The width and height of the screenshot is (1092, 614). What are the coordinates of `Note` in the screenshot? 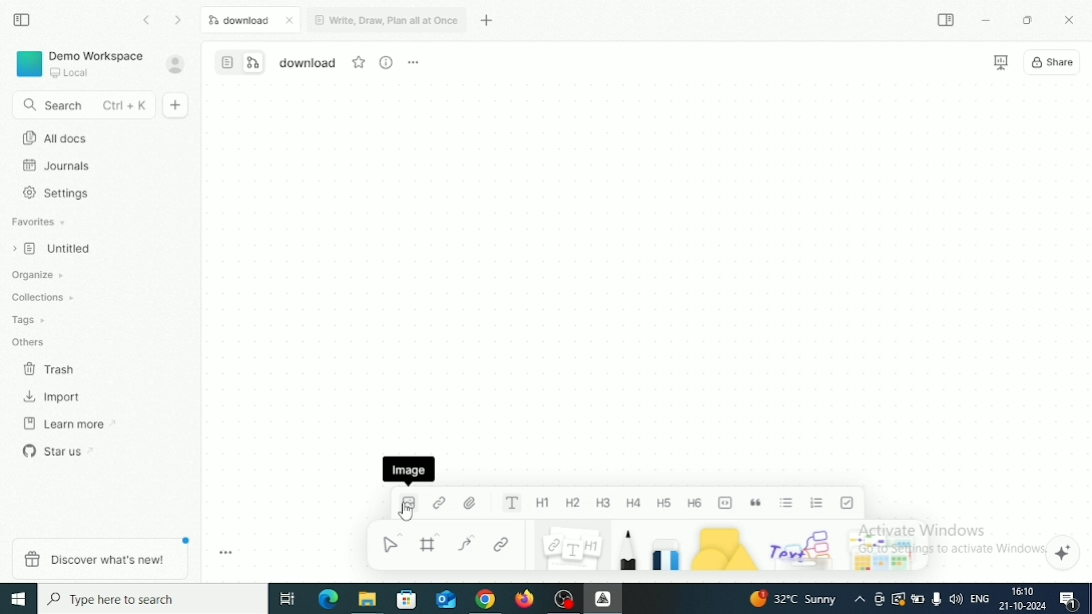 It's located at (571, 547).